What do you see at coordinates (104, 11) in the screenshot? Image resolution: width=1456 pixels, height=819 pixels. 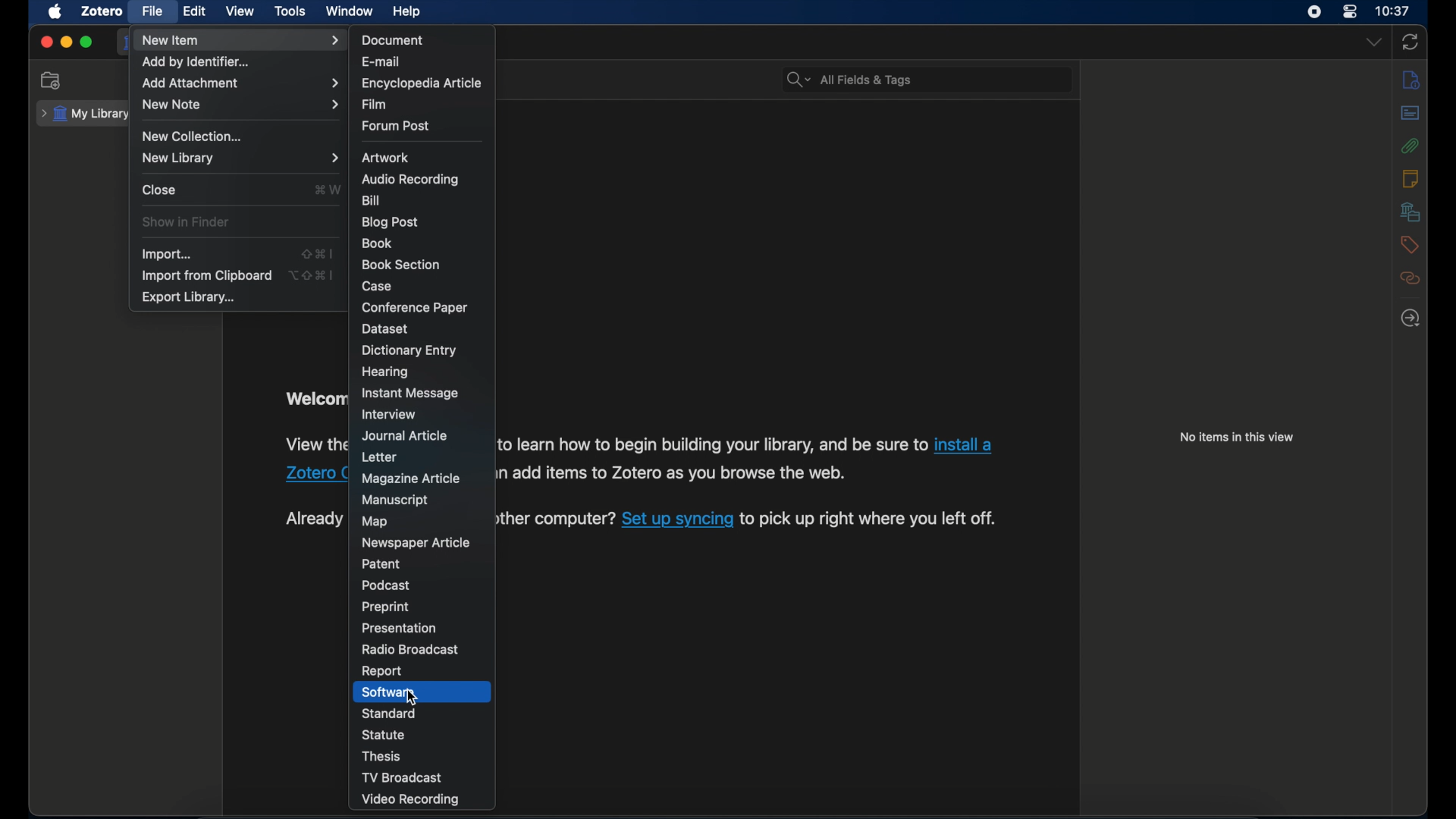 I see `zotero` at bounding box center [104, 11].